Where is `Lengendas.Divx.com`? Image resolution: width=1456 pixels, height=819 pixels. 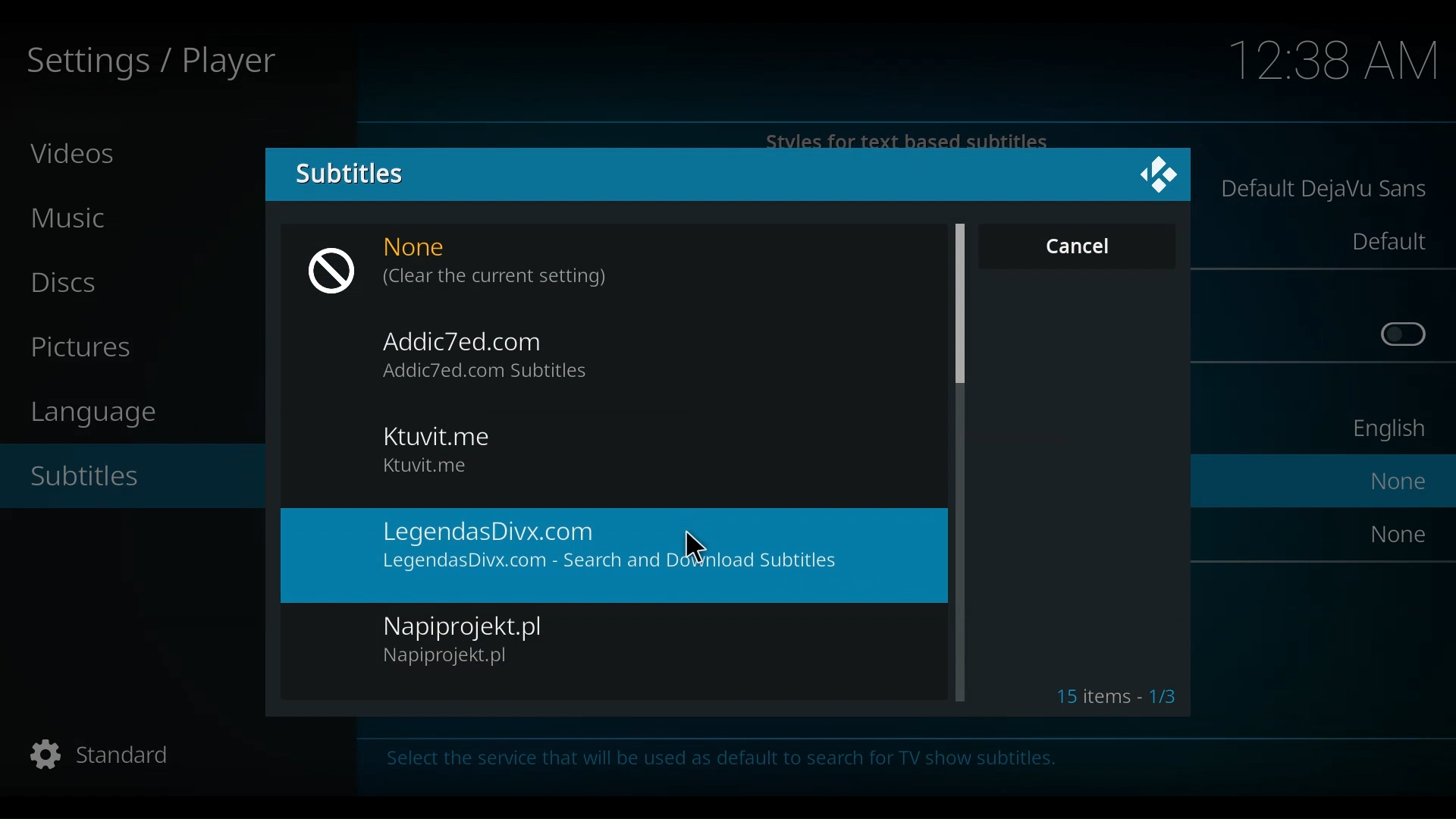
Lengendas.Divx.com is located at coordinates (609, 531).